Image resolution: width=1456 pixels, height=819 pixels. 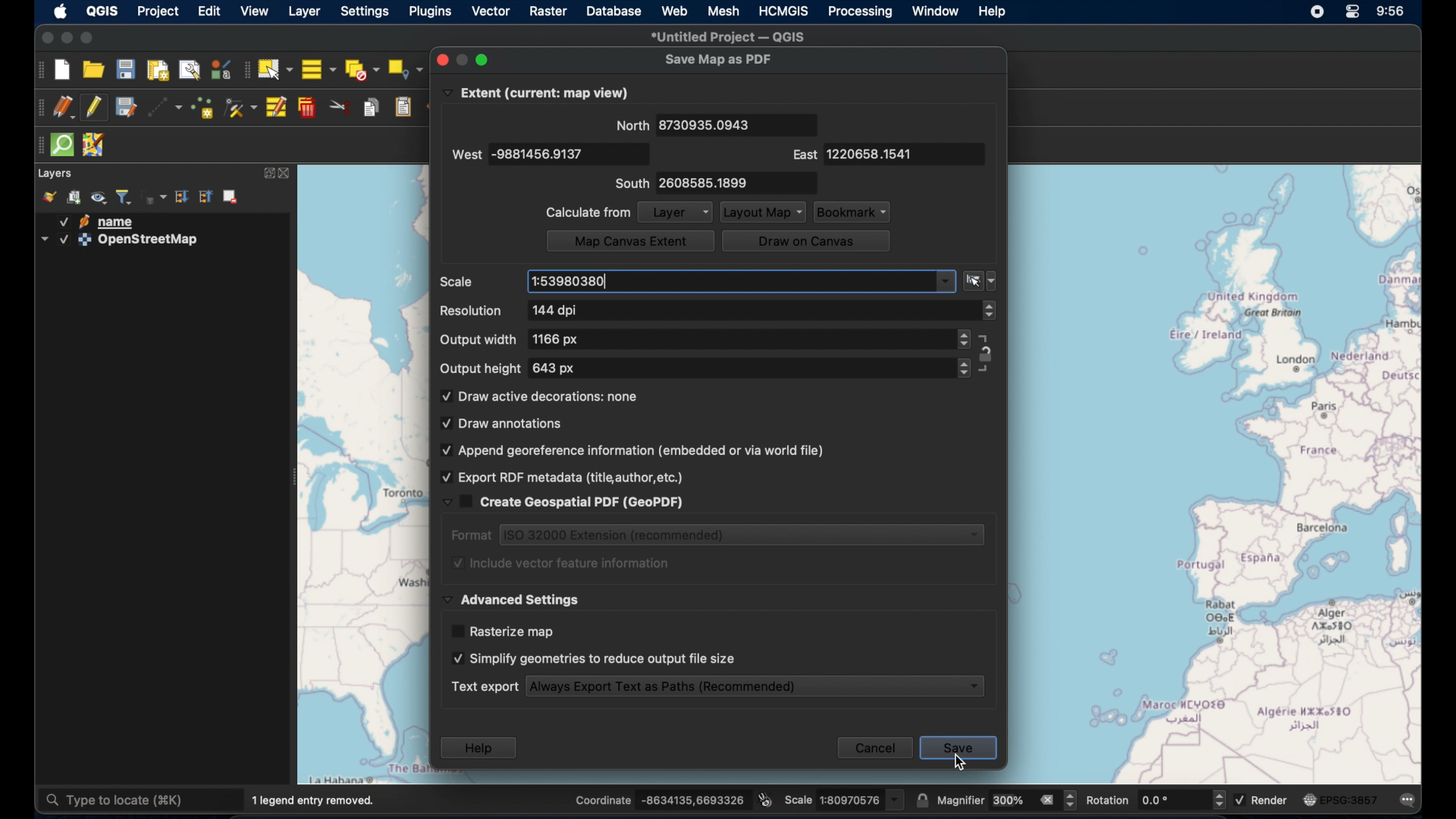 I want to click on vector, so click(x=491, y=12).